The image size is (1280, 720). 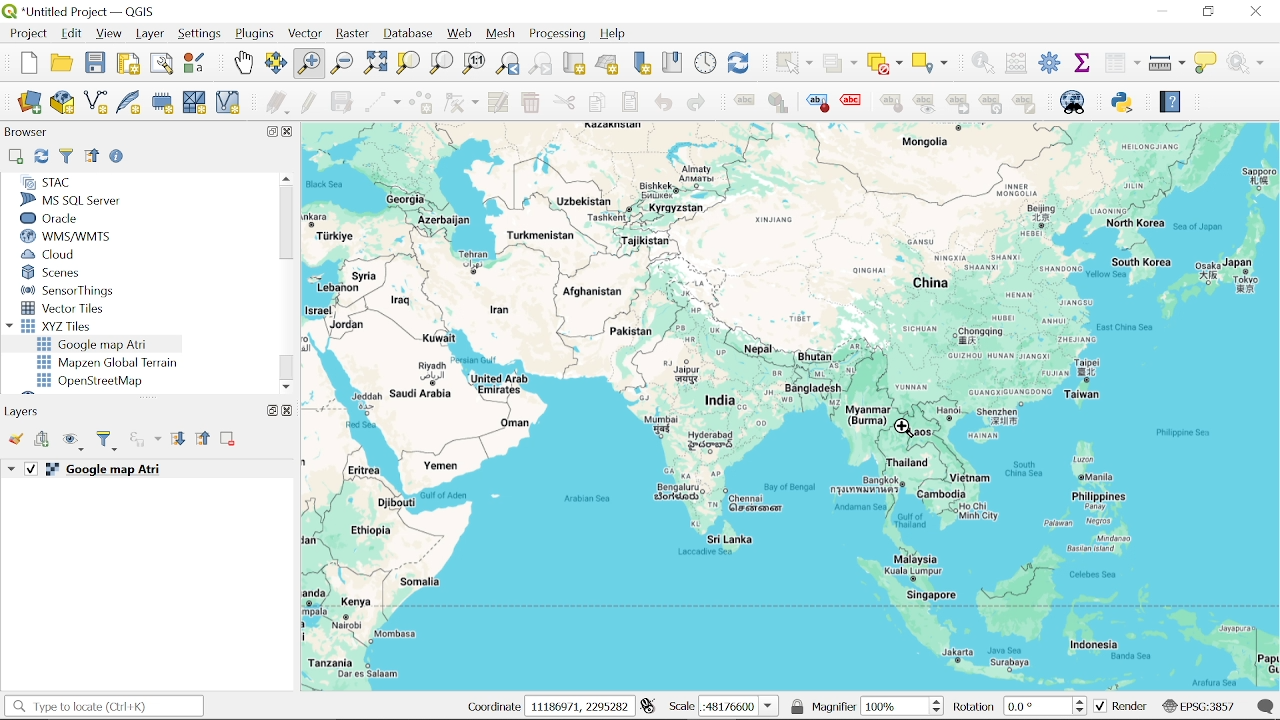 What do you see at coordinates (1025, 105) in the screenshot?
I see `Change label properties` at bounding box center [1025, 105].